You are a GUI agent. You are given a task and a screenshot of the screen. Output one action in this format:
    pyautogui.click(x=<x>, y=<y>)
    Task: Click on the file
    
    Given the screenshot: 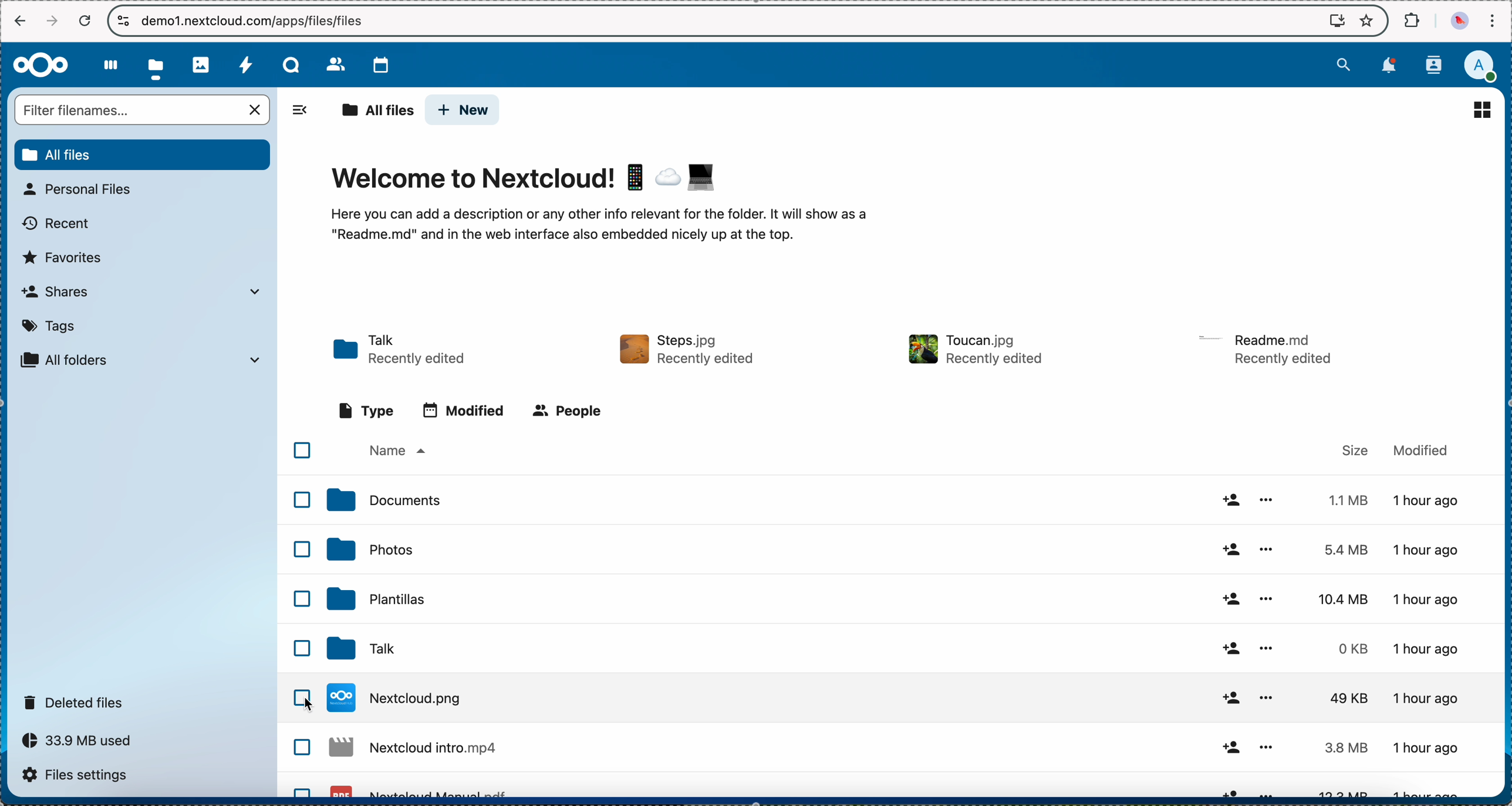 What is the action you would take?
    pyautogui.click(x=899, y=790)
    